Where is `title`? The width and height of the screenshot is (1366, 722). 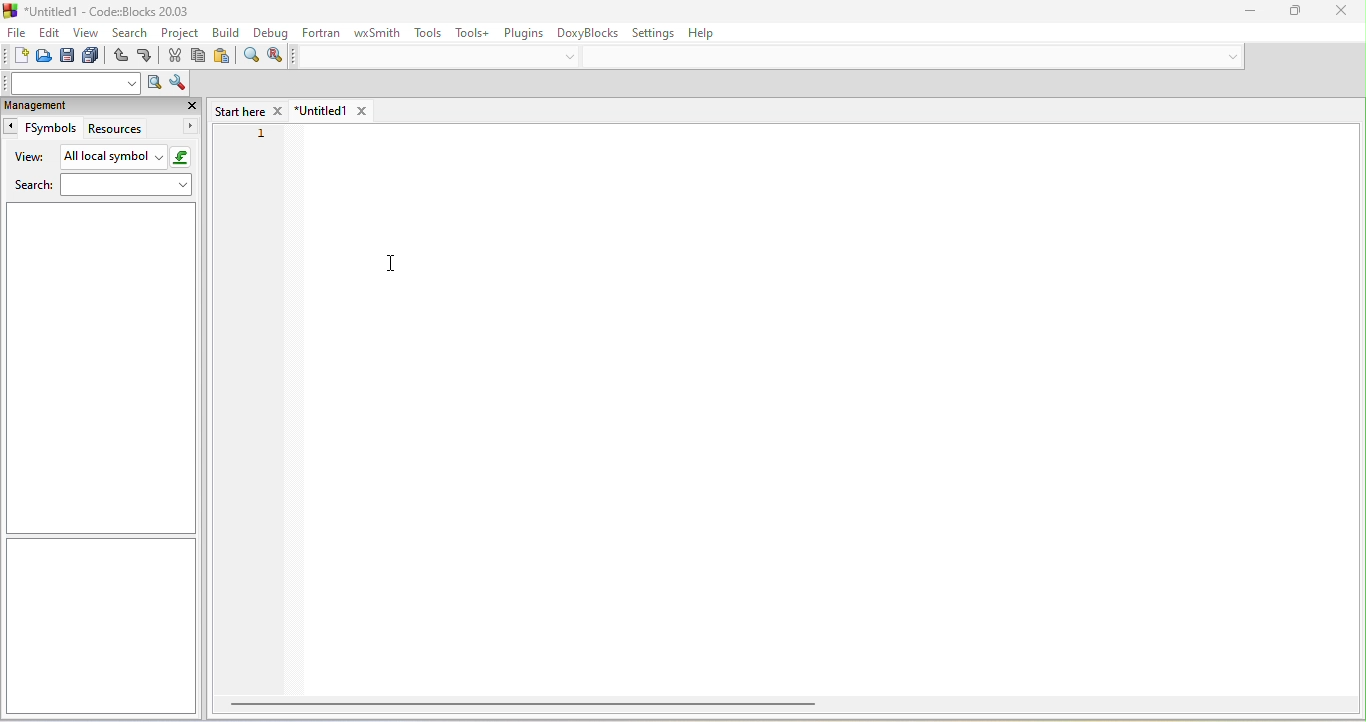
title is located at coordinates (102, 10).